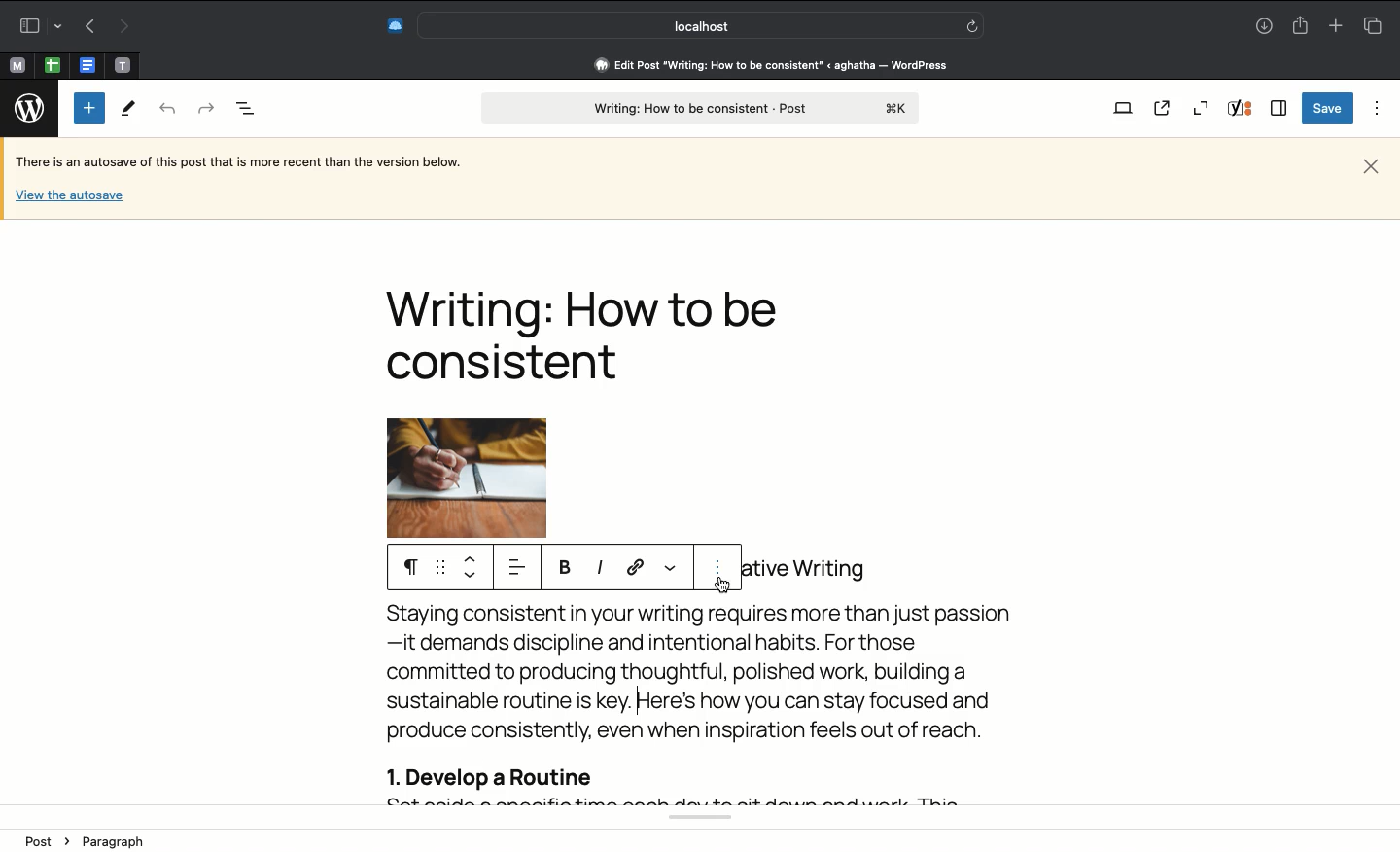  Describe the element at coordinates (1334, 25) in the screenshot. I see `Add new tab` at that location.